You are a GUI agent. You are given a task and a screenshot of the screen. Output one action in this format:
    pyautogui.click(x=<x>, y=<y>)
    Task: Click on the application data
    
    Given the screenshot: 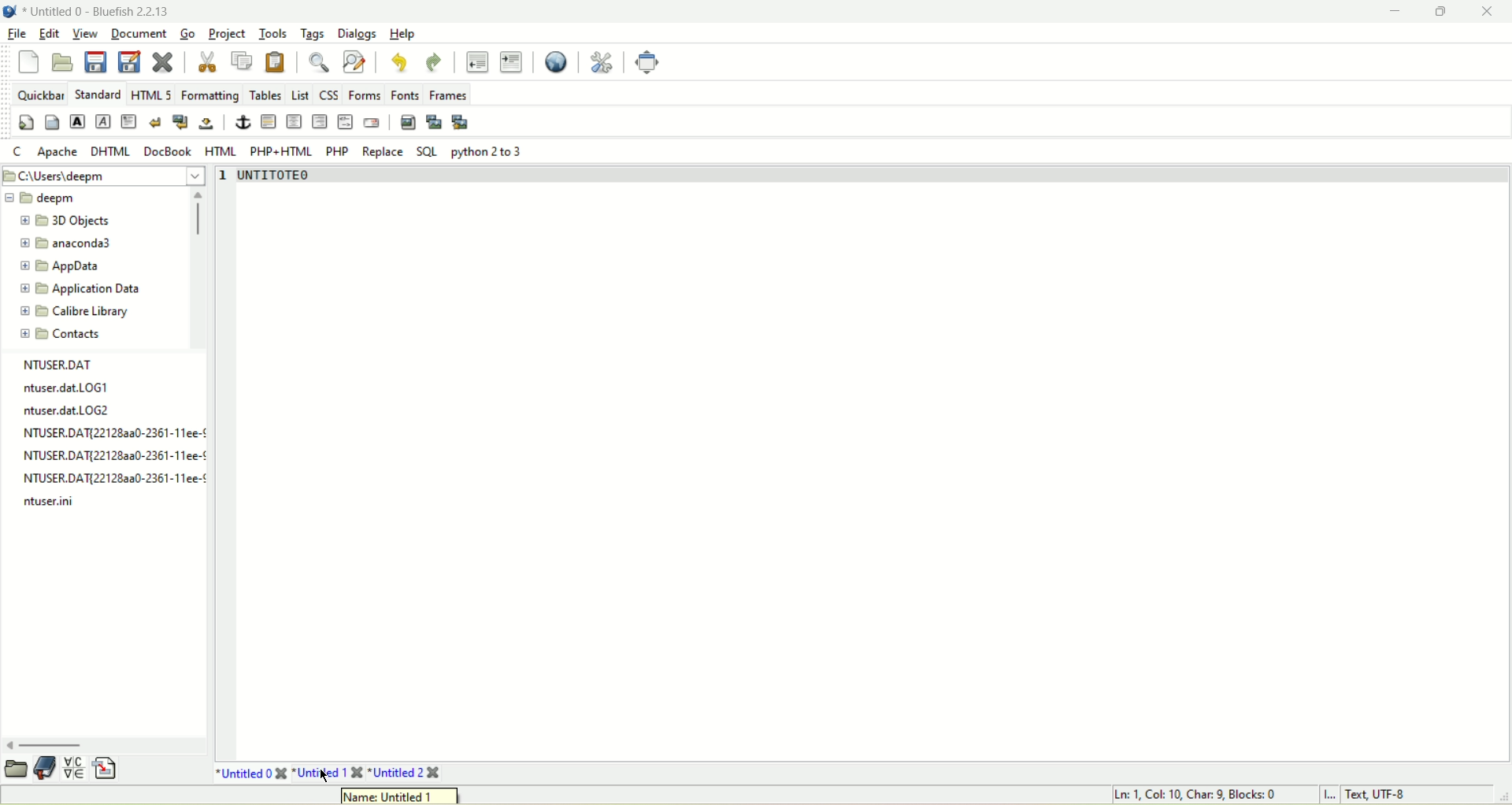 What is the action you would take?
    pyautogui.click(x=91, y=288)
    